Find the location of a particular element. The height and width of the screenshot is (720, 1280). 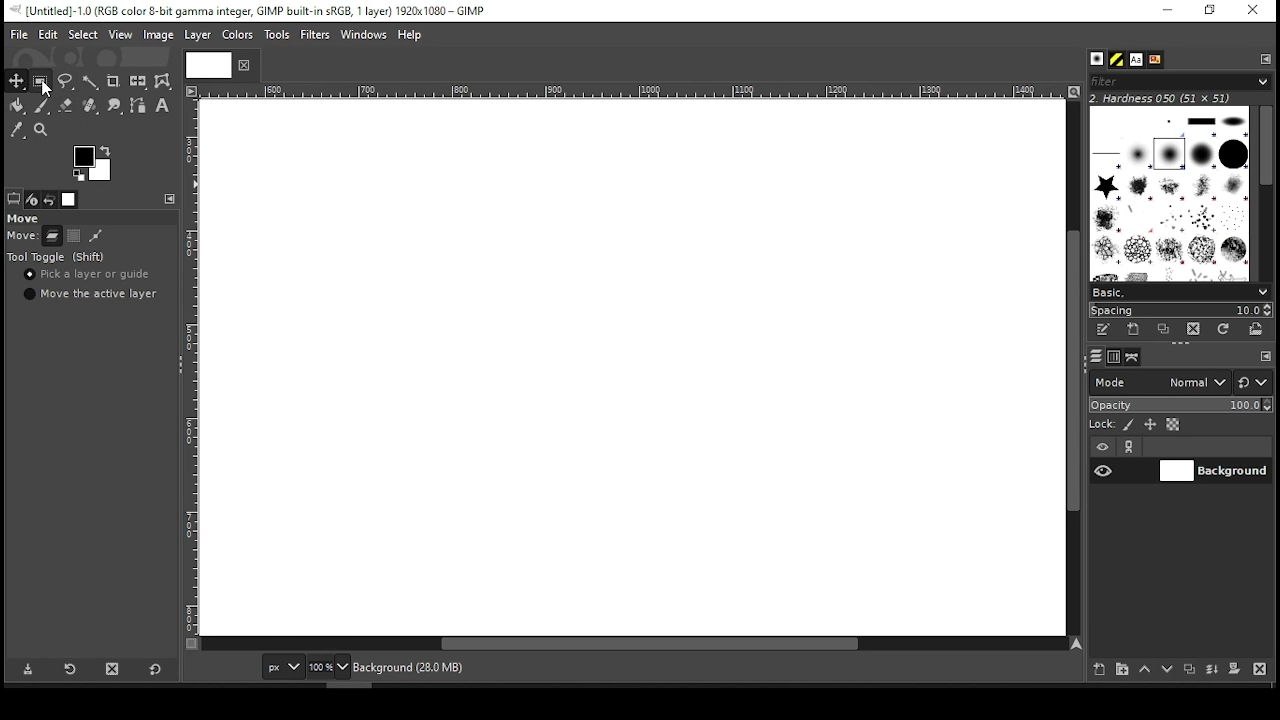

 is located at coordinates (193, 367).